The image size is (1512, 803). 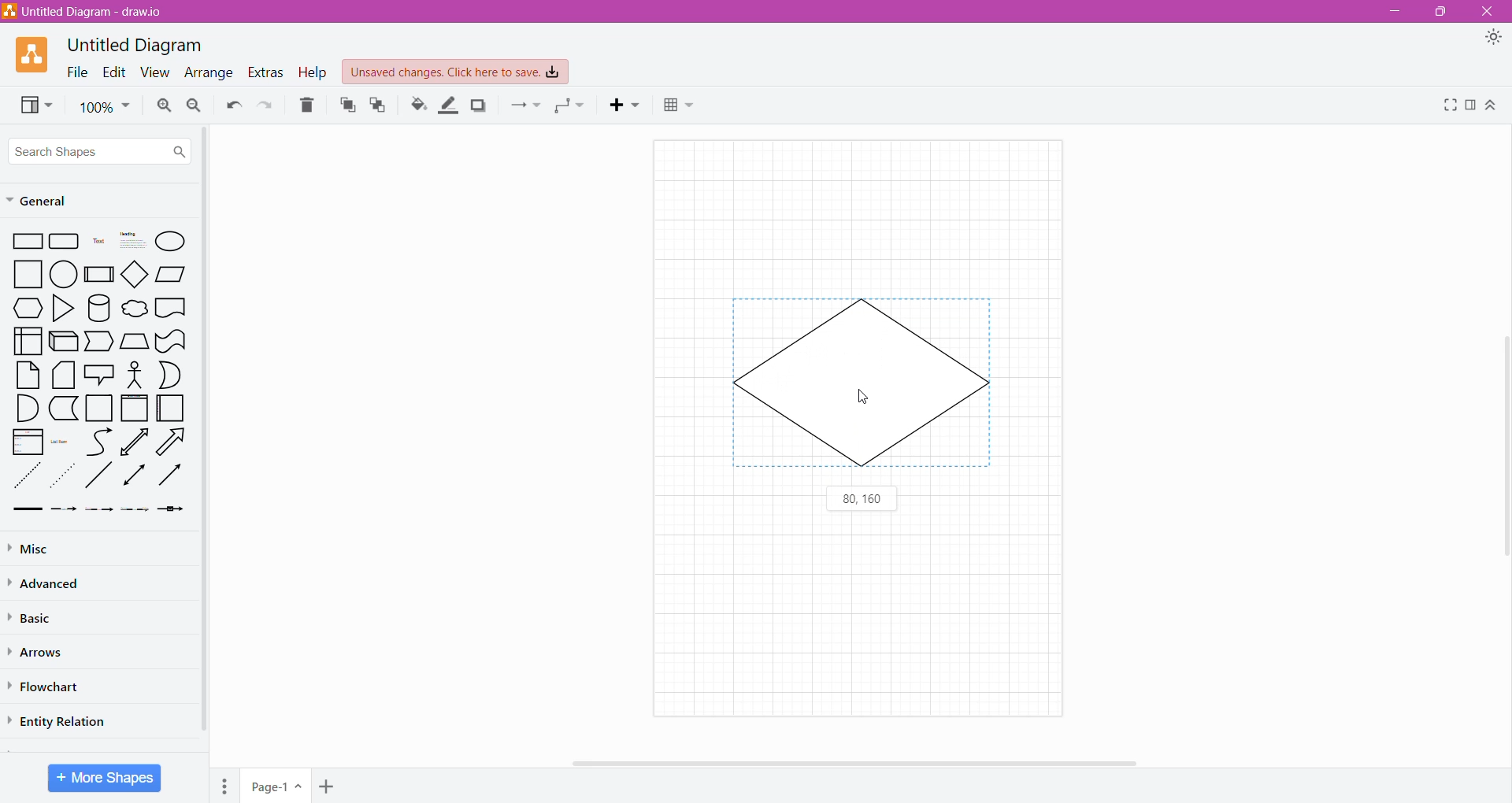 I want to click on Item List, so click(x=28, y=442).